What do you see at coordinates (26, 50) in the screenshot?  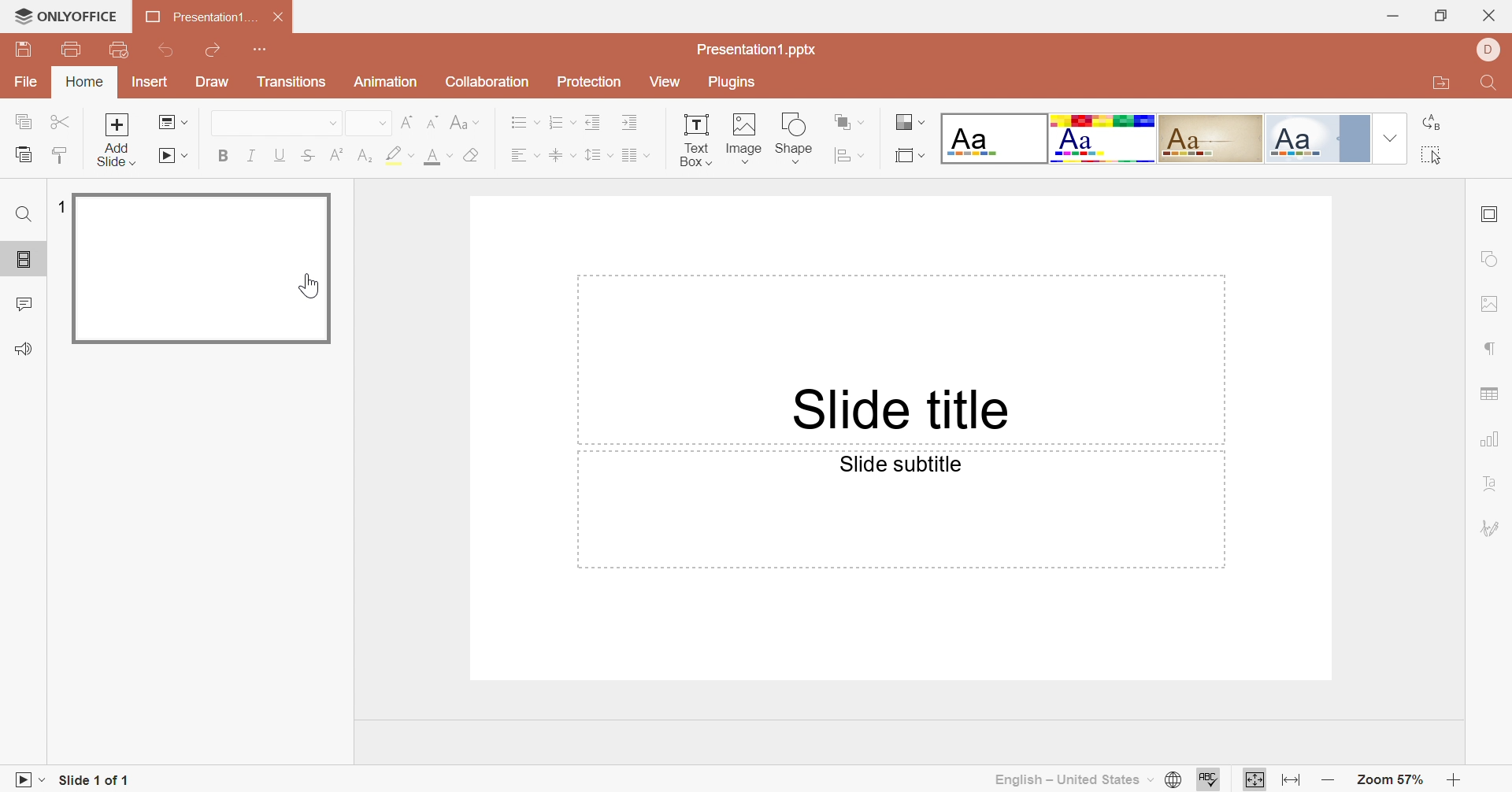 I see `Save` at bounding box center [26, 50].